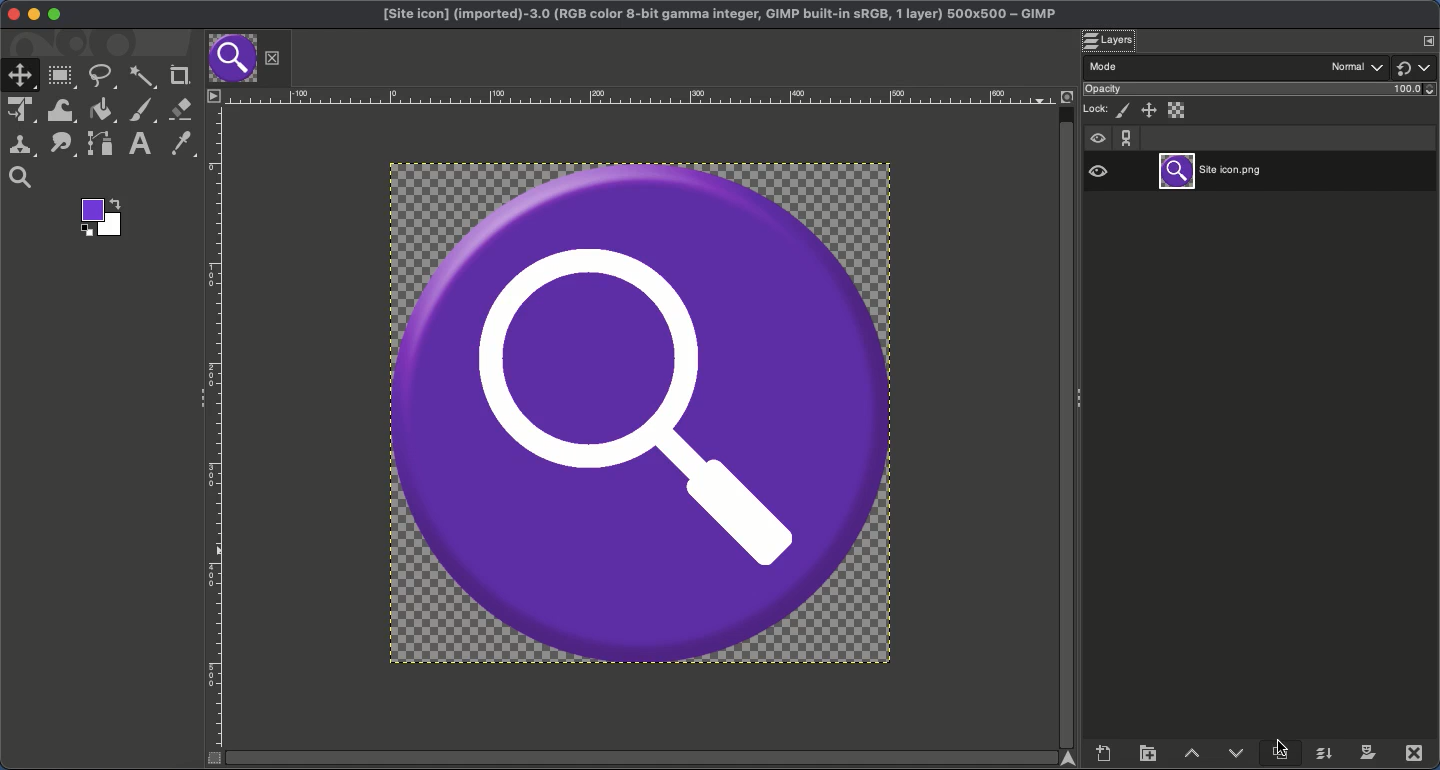  Describe the element at coordinates (1080, 399) in the screenshot. I see `Collapse` at that location.